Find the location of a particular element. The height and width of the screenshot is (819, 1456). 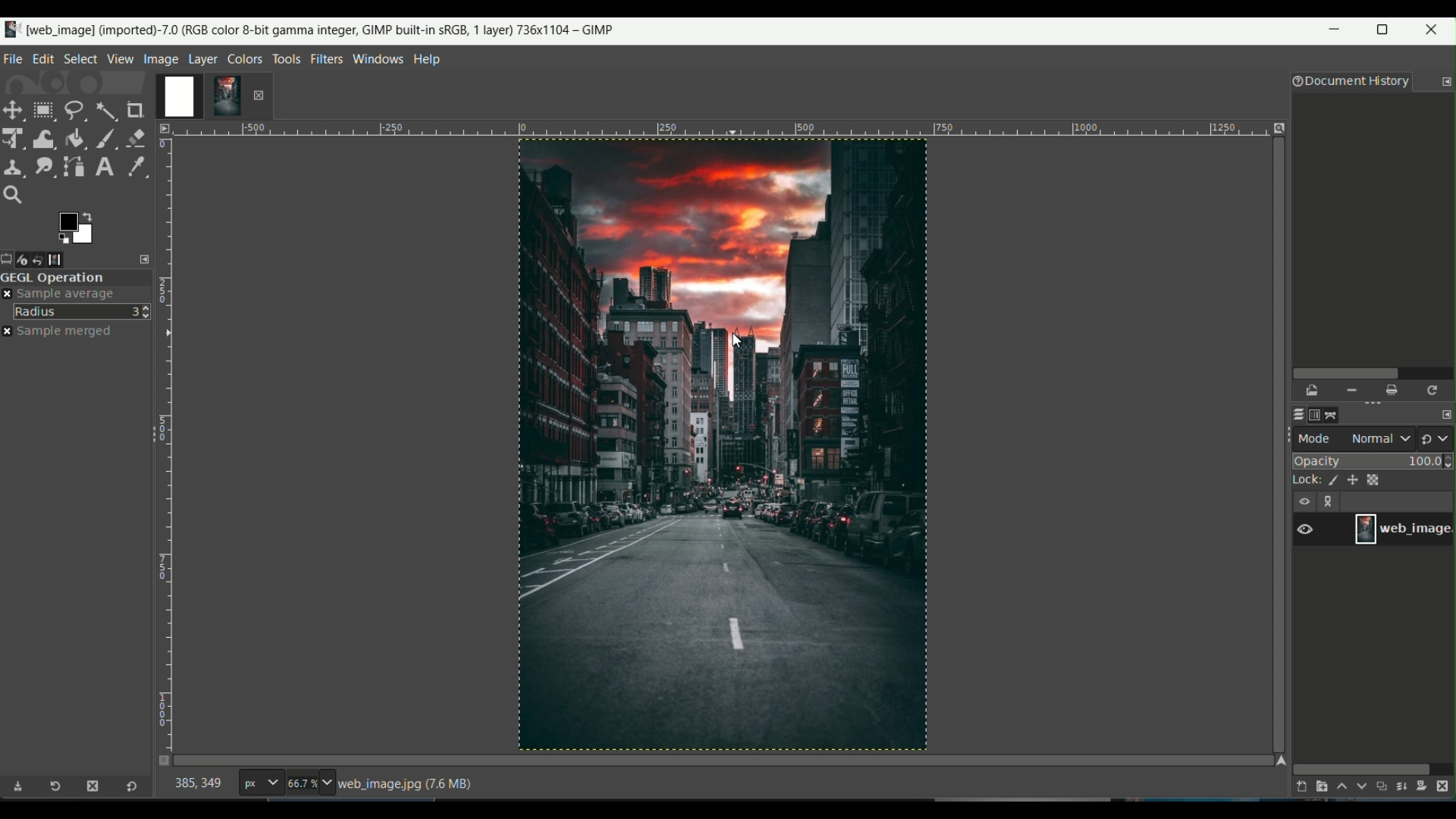

remove the selected entry is located at coordinates (1351, 391).